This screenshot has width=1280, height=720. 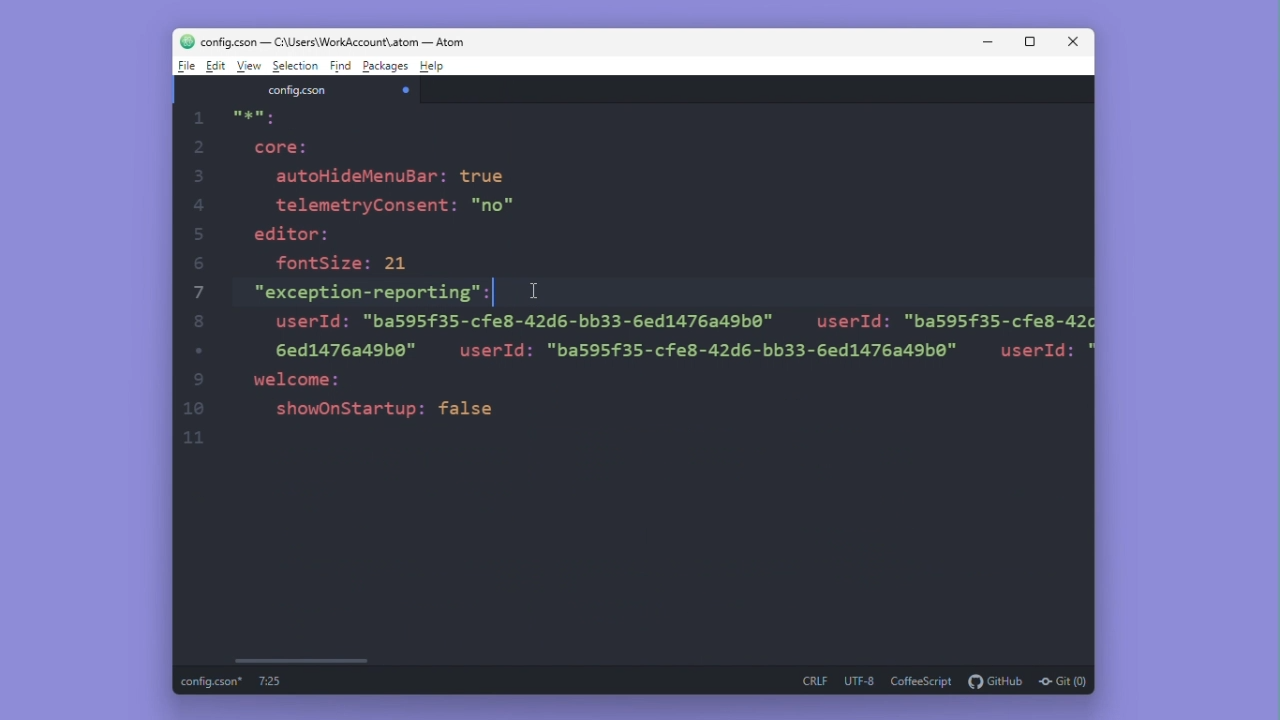 What do you see at coordinates (216, 67) in the screenshot?
I see `Edit` at bounding box center [216, 67].